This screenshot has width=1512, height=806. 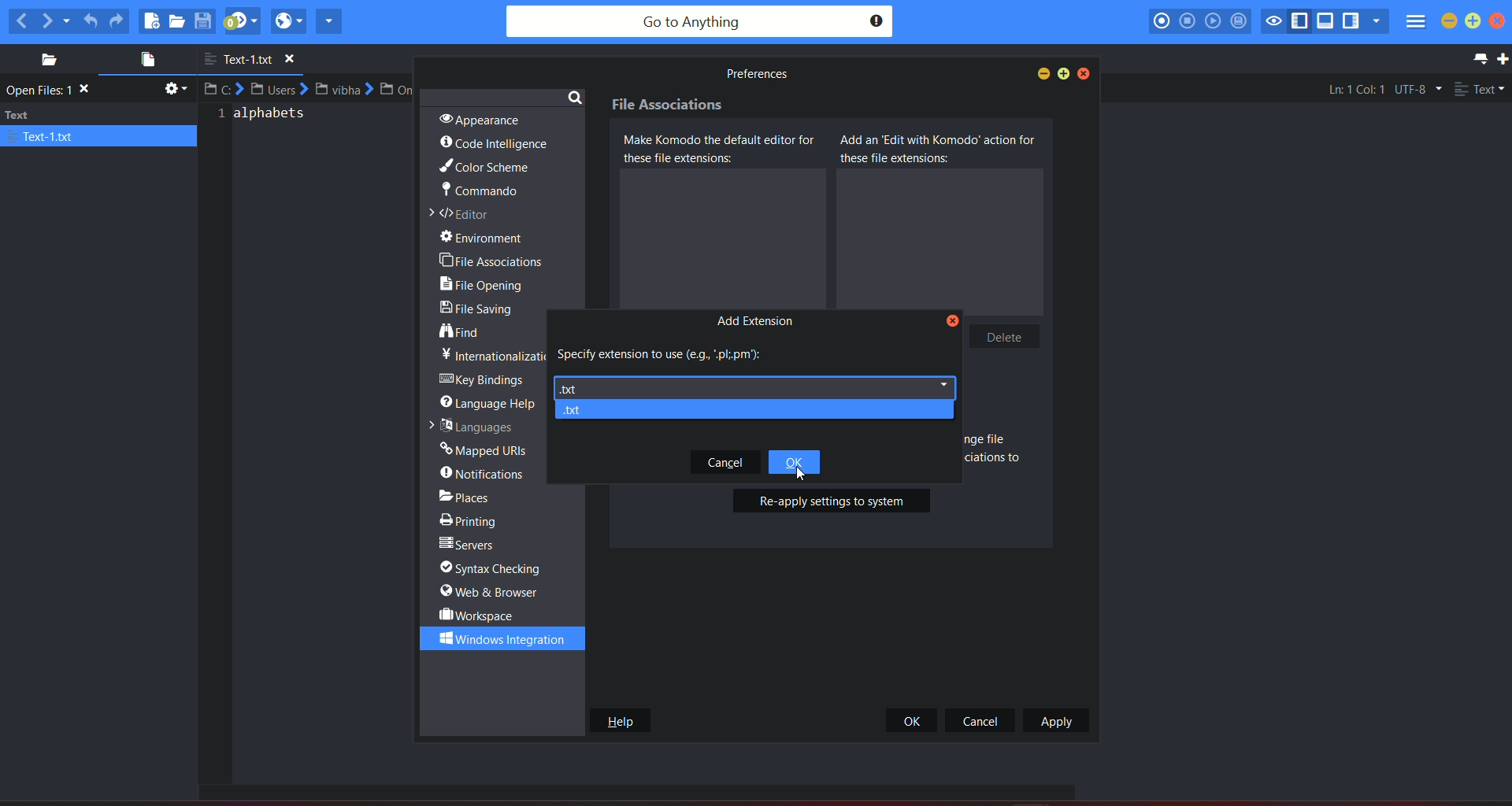 I want to click on file type, so click(x=1480, y=91).